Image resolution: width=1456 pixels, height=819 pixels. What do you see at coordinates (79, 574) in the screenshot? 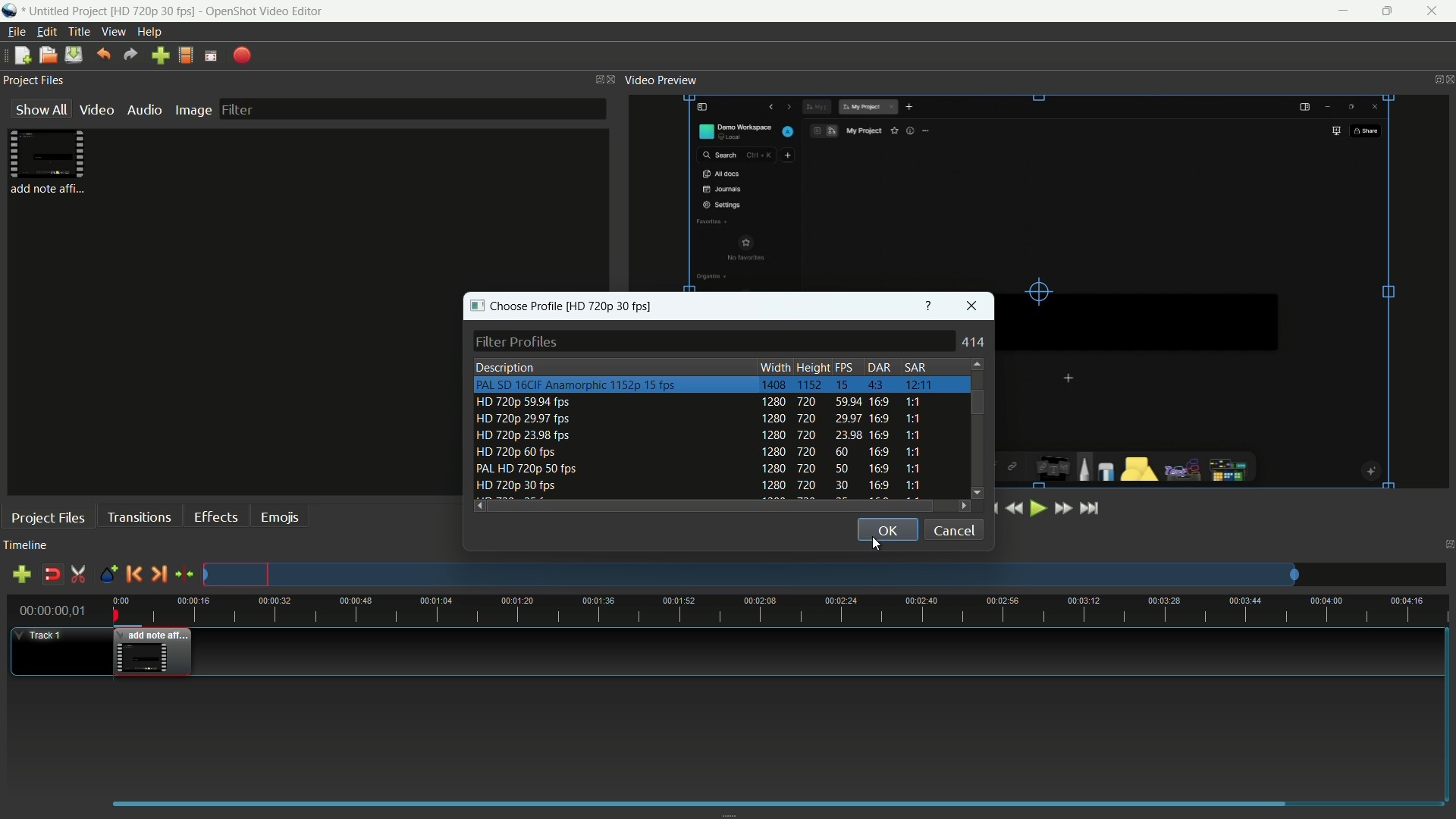
I see `enable razor` at bounding box center [79, 574].